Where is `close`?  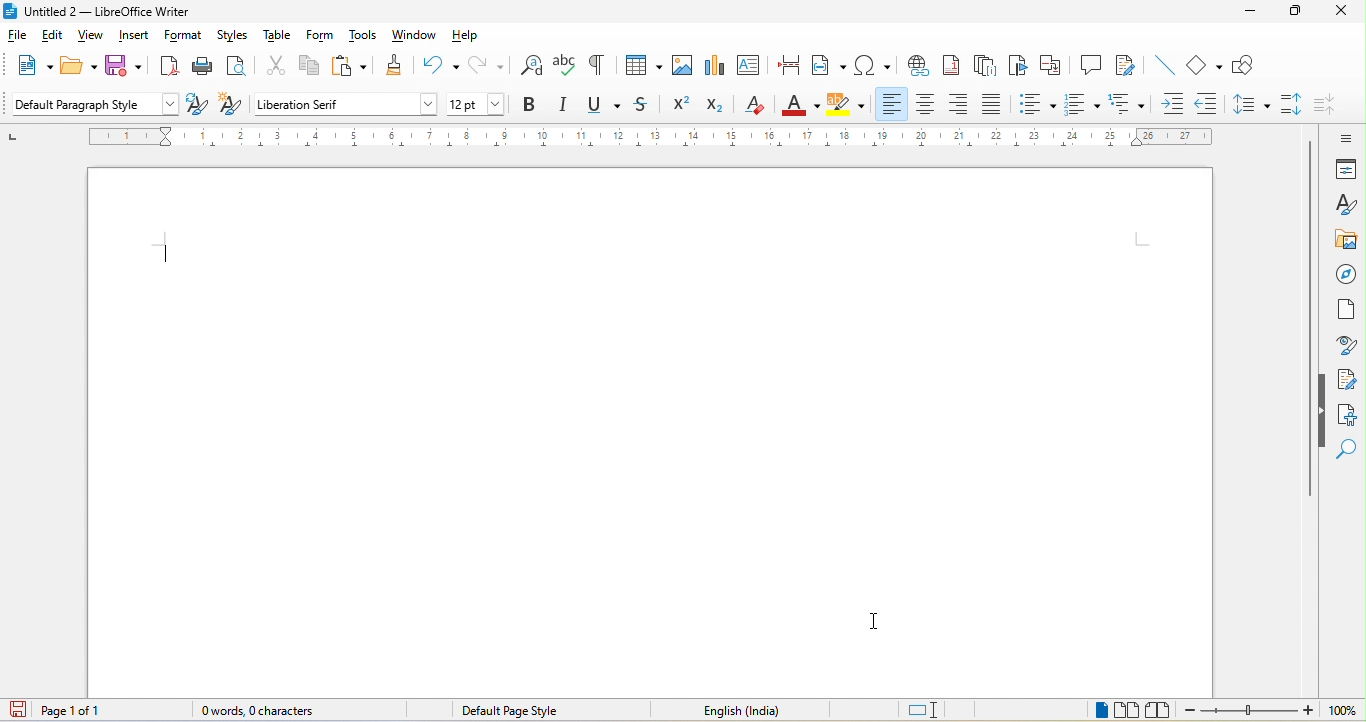
close is located at coordinates (1340, 12).